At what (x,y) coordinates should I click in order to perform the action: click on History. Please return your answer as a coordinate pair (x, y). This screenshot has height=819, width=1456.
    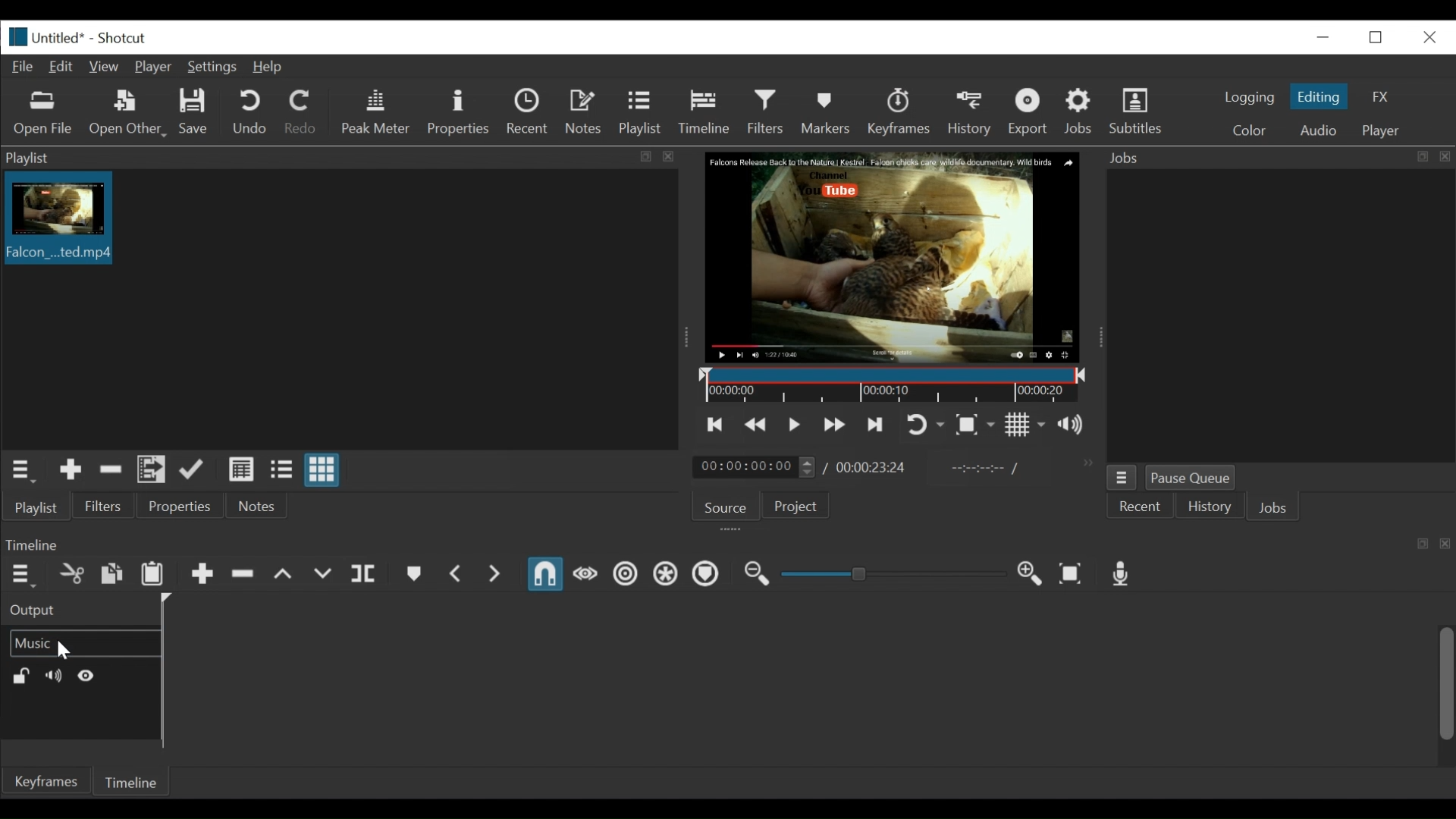
    Looking at the image, I should click on (972, 114).